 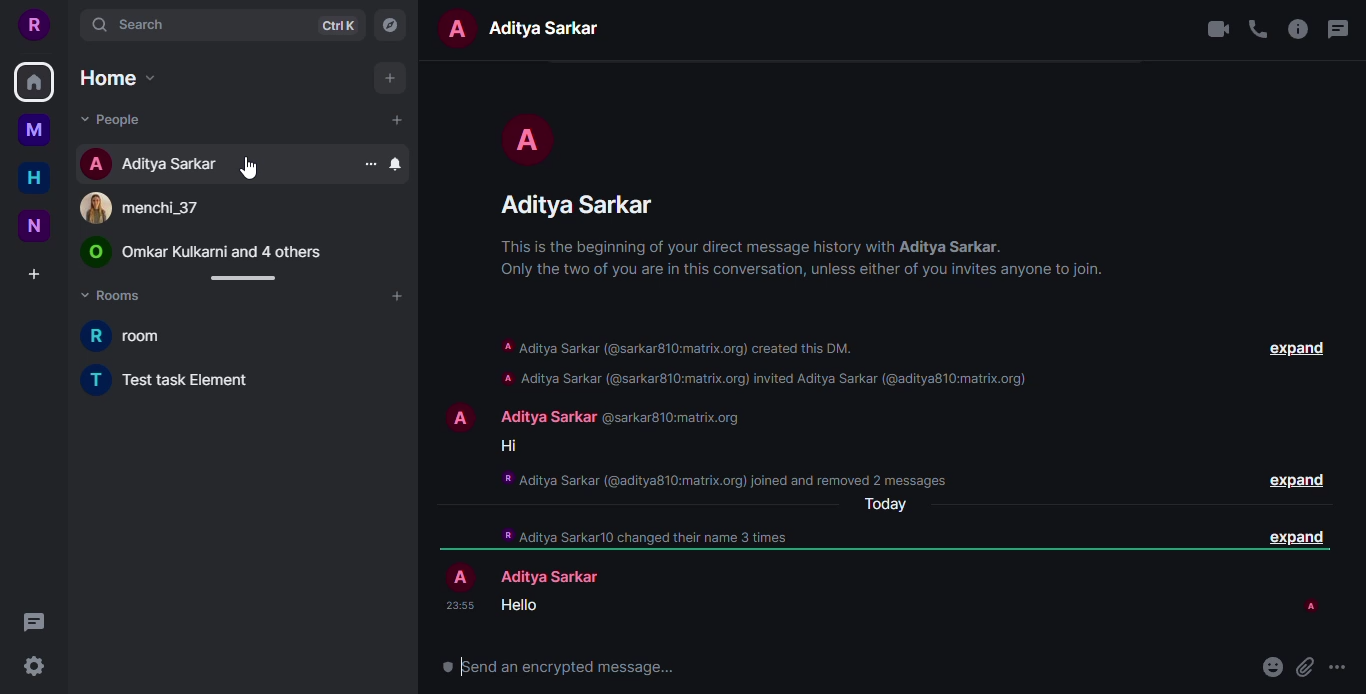 What do you see at coordinates (763, 377) in the screenshot?
I see `Aditya Sarkar (@sarkar810:matrix.org) invited aditya sarkar (@aditya810:matrix.org)` at bounding box center [763, 377].